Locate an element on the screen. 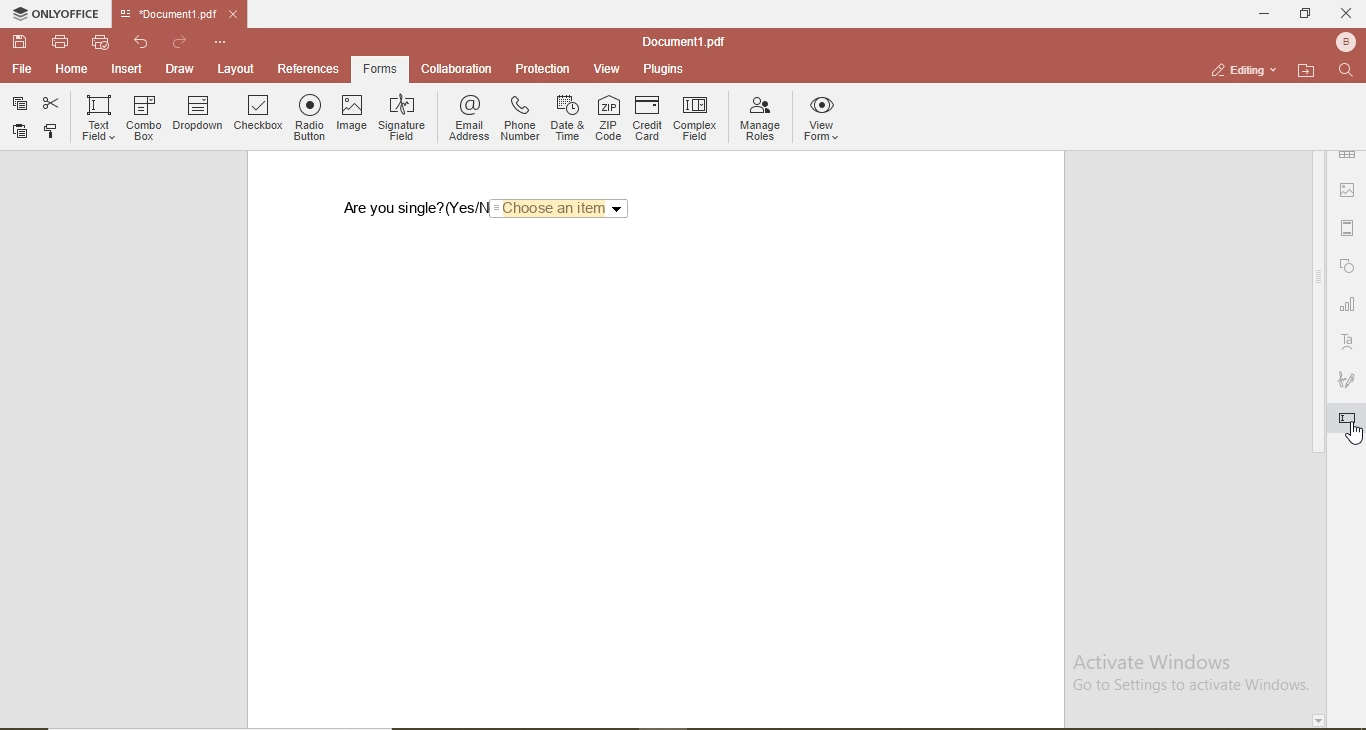  save is located at coordinates (20, 42).